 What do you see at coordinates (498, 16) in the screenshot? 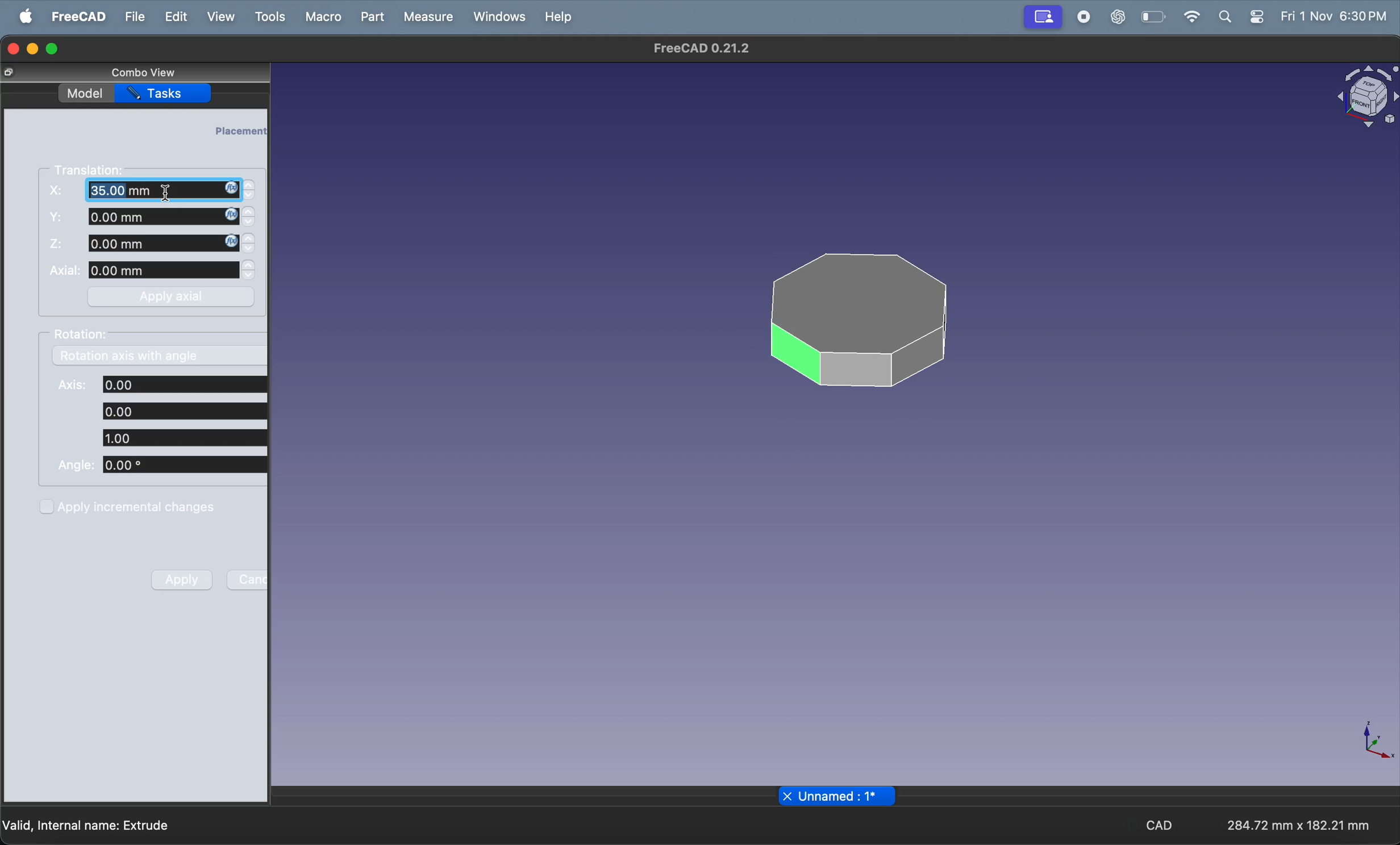
I see `windows` at bounding box center [498, 16].